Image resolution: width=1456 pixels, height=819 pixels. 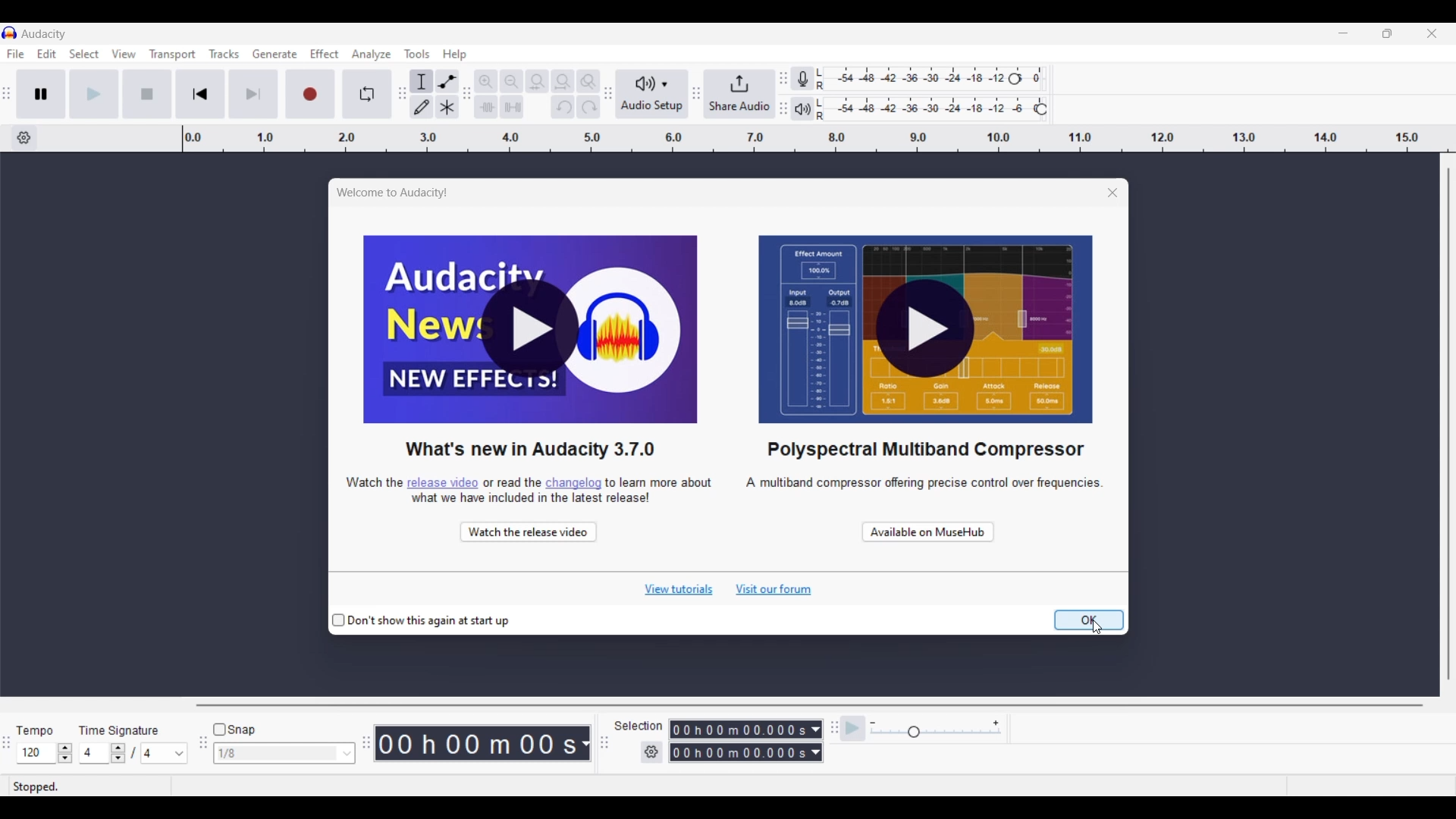 What do you see at coordinates (808, 706) in the screenshot?
I see `Horizontal slide bar` at bounding box center [808, 706].